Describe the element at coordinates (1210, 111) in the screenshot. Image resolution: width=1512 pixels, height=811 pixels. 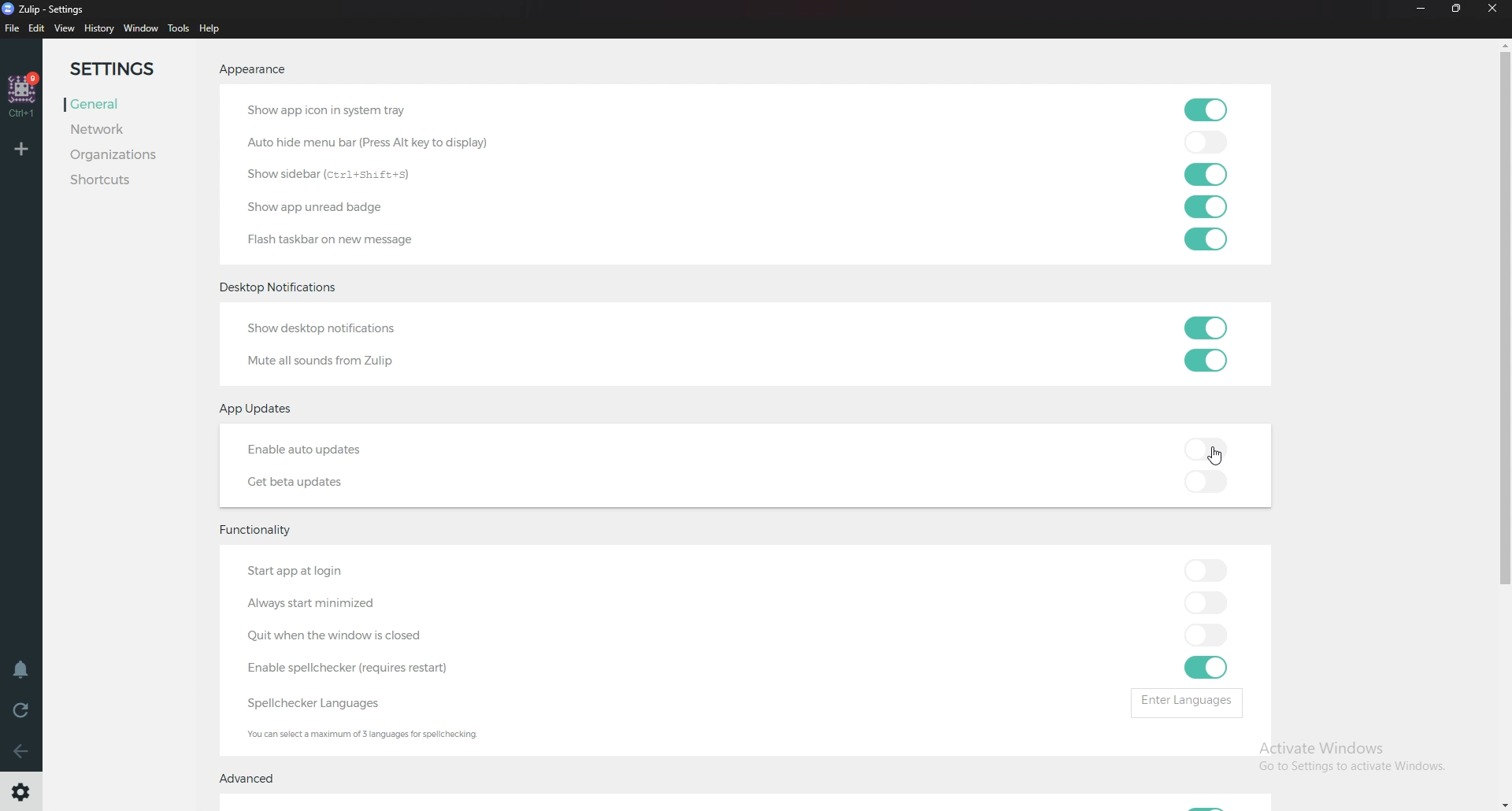
I see `toggle` at that location.